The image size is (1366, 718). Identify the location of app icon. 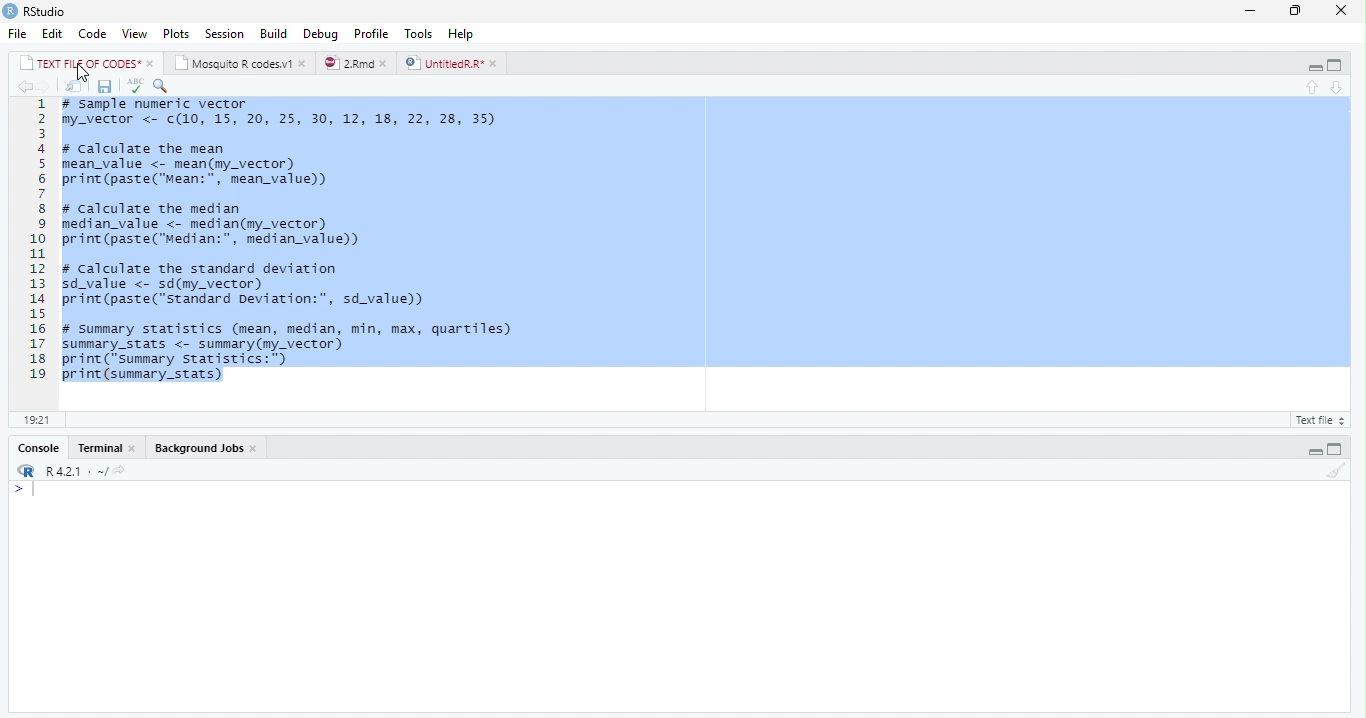
(10, 10).